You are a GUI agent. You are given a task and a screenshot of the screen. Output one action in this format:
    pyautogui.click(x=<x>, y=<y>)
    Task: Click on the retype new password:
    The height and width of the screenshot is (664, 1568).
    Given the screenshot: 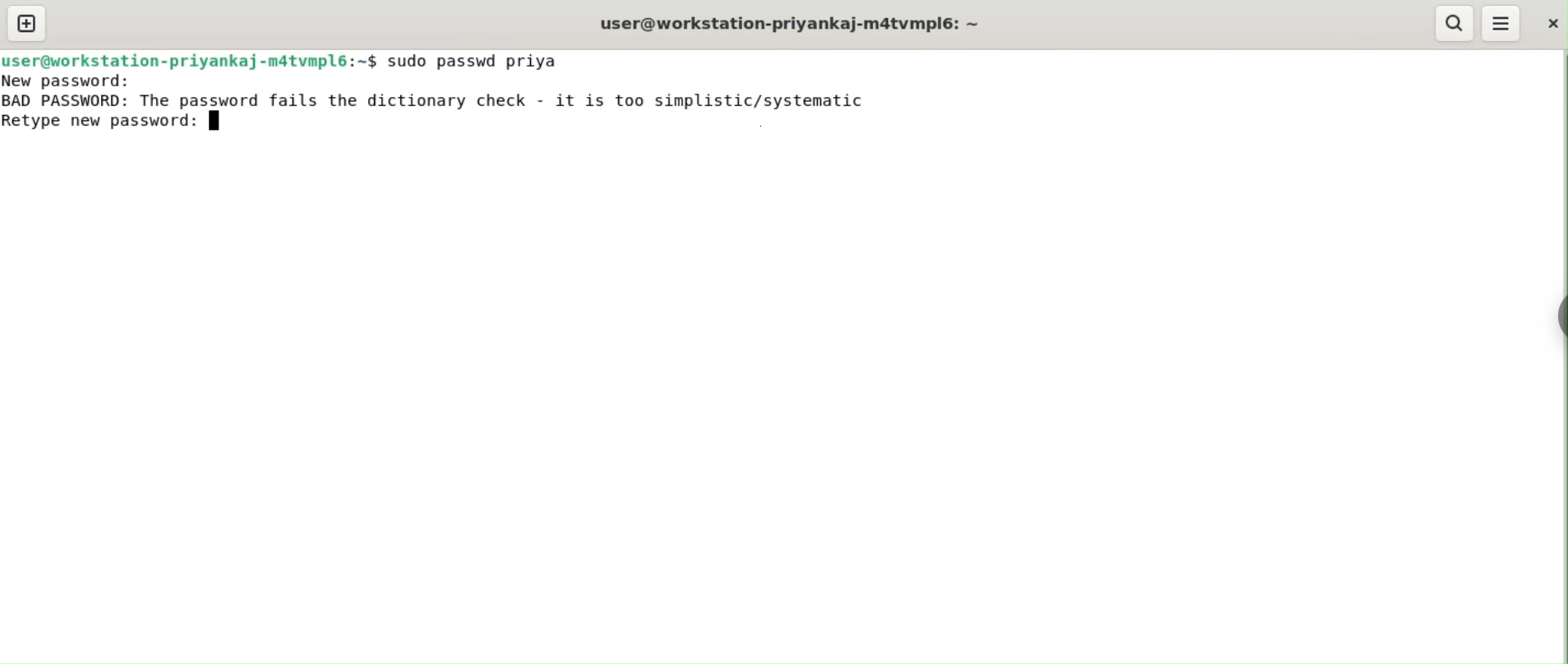 What is the action you would take?
    pyautogui.click(x=100, y=123)
    